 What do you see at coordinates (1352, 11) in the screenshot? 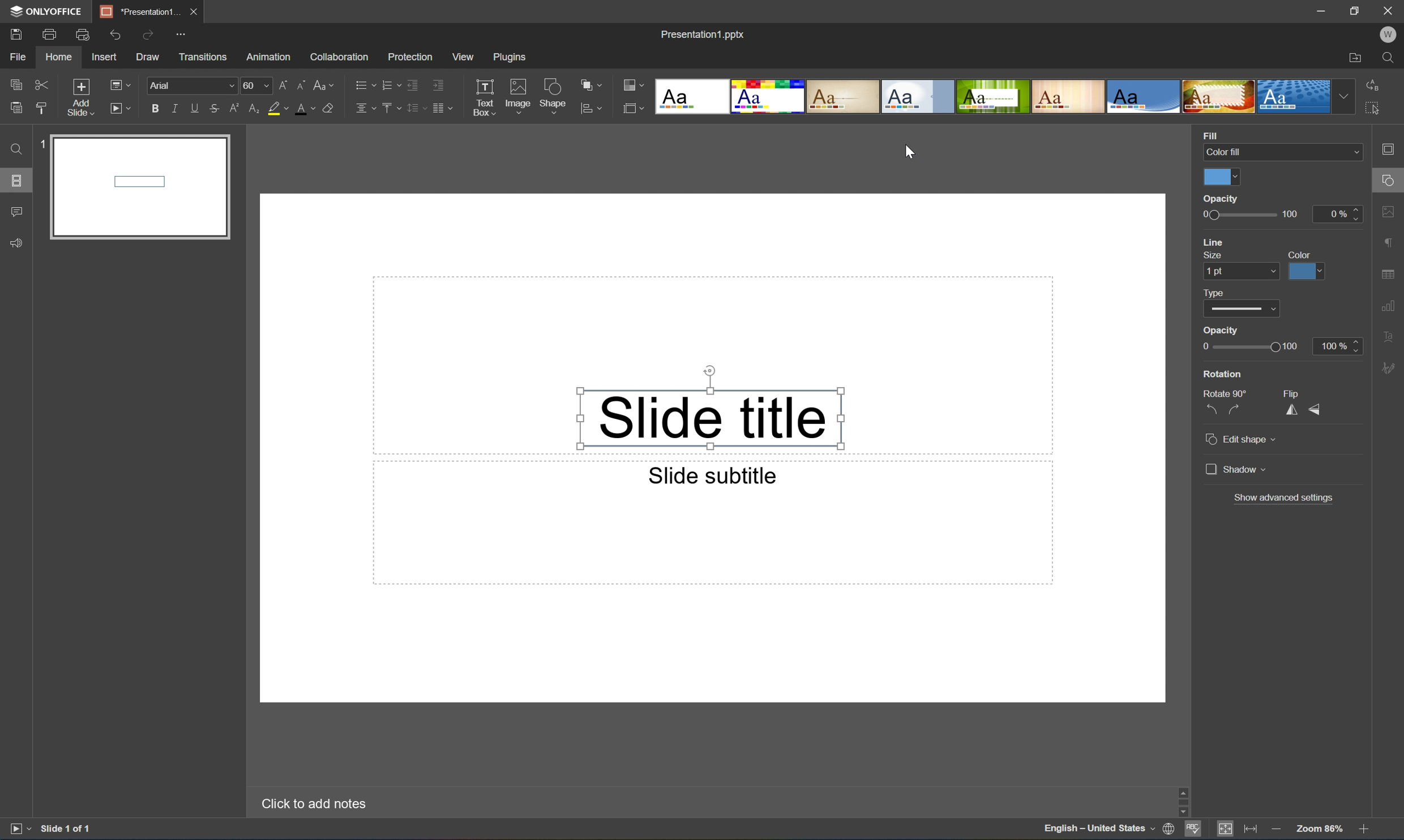
I see `Restore down` at bounding box center [1352, 11].